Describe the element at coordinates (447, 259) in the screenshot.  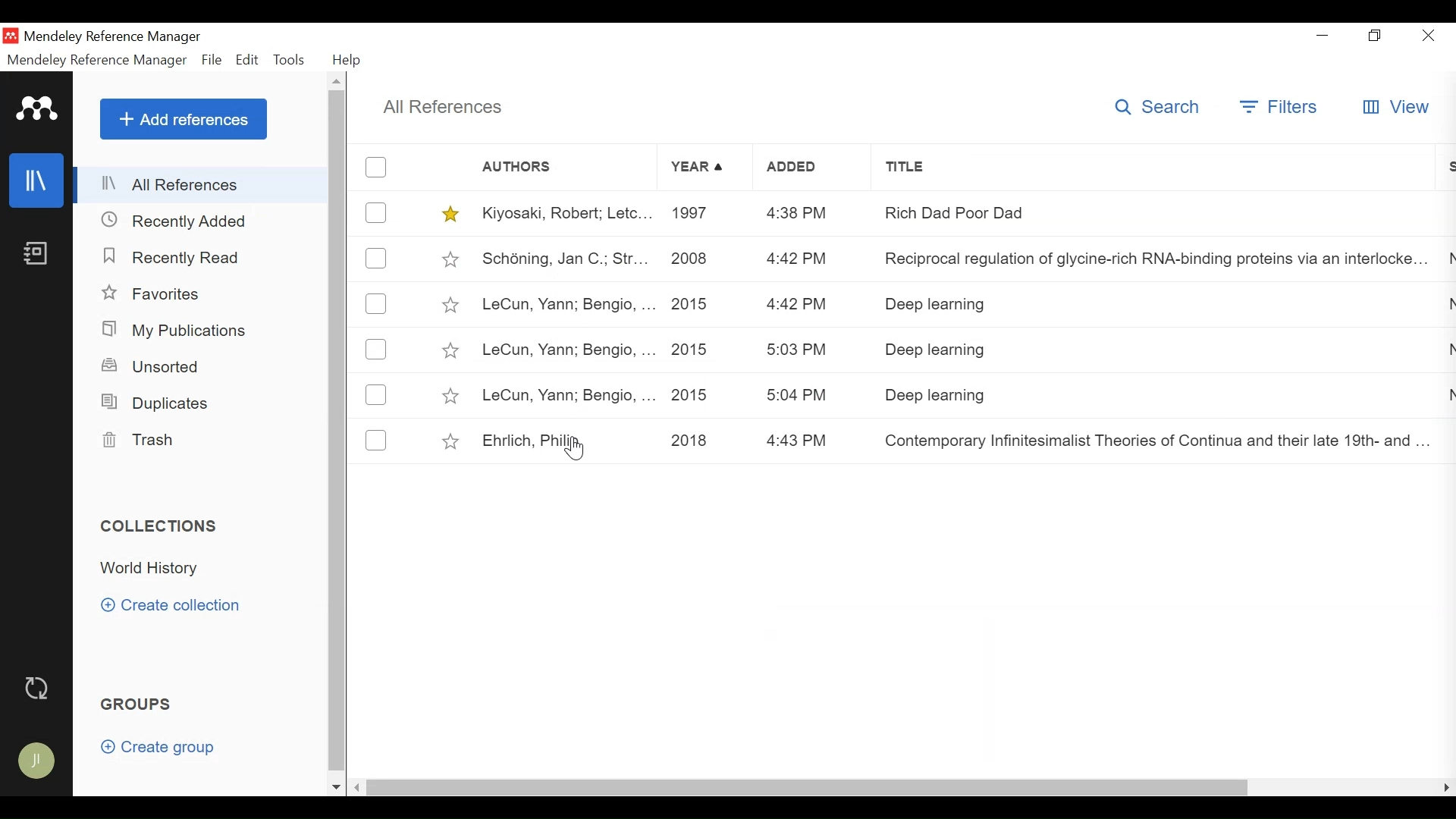
I see `(un)select favorite` at that location.